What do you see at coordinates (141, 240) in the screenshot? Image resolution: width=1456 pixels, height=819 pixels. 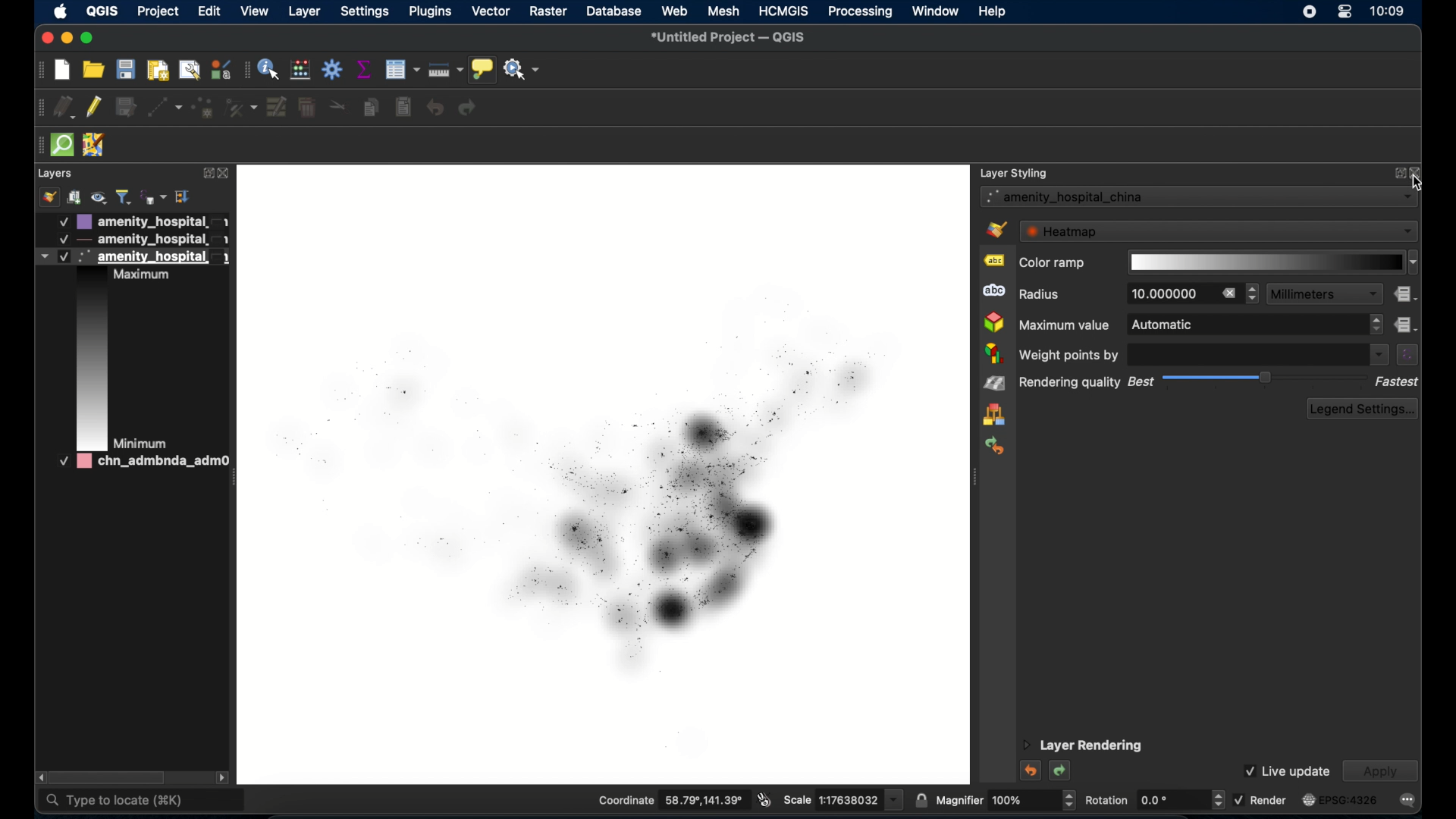 I see `layer 2` at bounding box center [141, 240].